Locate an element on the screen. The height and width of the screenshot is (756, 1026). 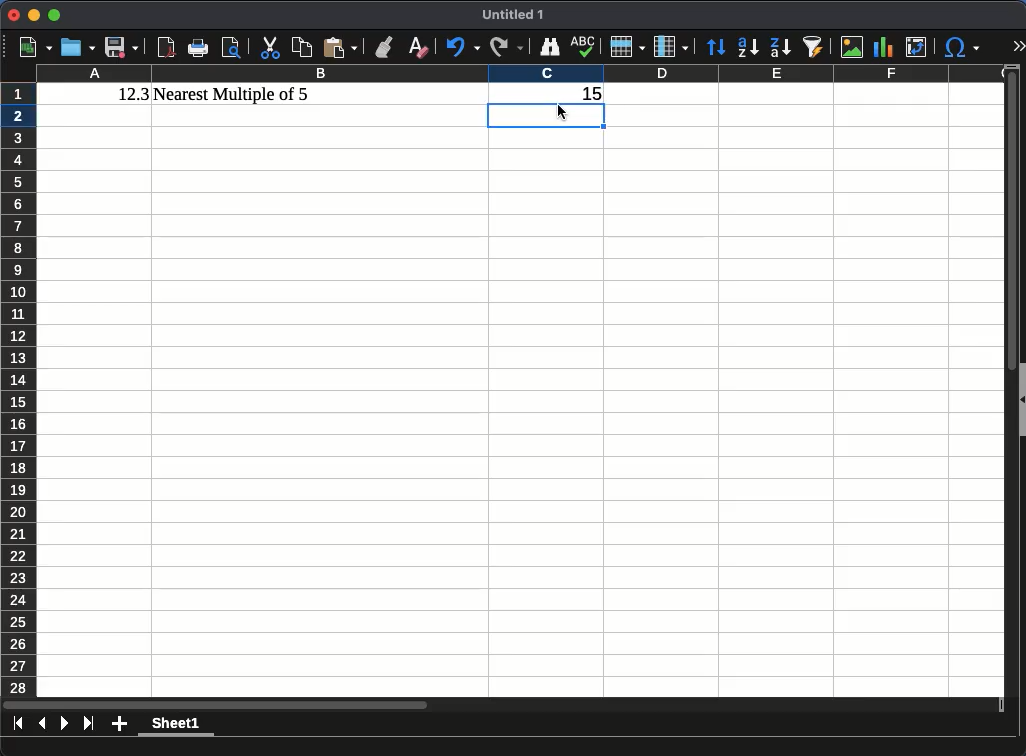
redo is located at coordinates (506, 48).